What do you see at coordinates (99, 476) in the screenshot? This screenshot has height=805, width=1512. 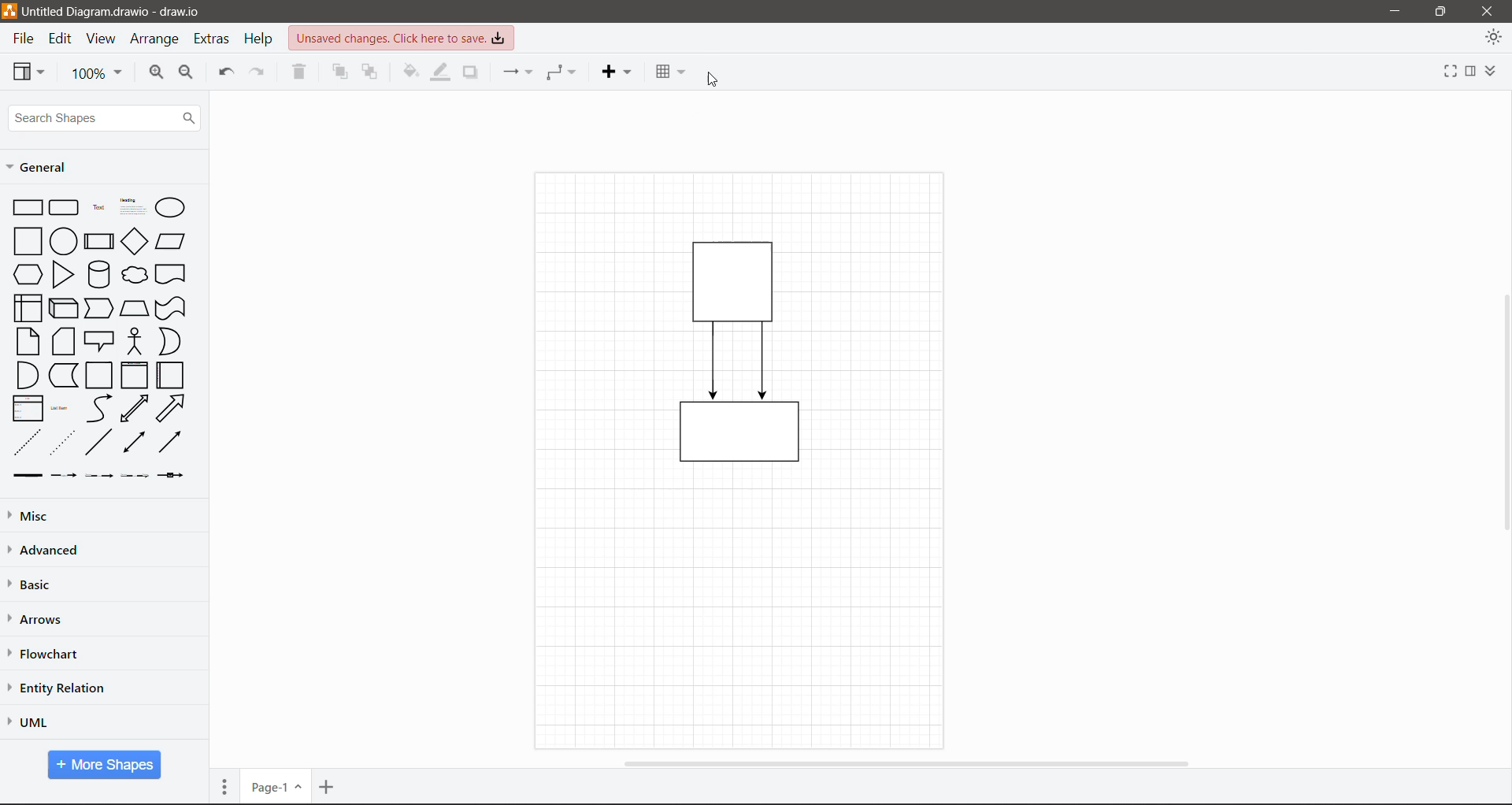 I see `connector with 2 labels` at bounding box center [99, 476].